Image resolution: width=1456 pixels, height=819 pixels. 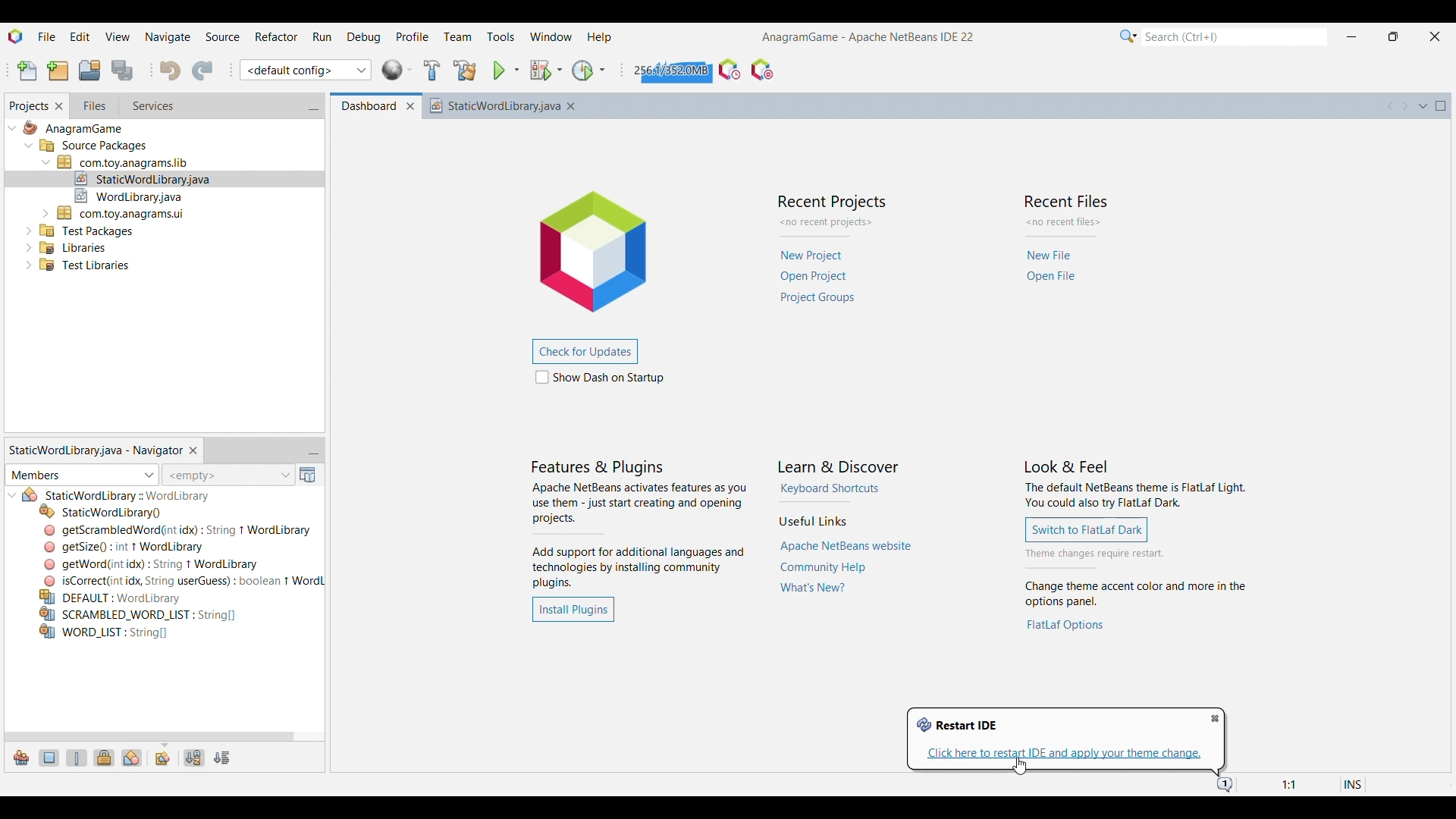 What do you see at coordinates (1215, 719) in the screenshot?
I see `Close Restart IDE options` at bounding box center [1215, 719].